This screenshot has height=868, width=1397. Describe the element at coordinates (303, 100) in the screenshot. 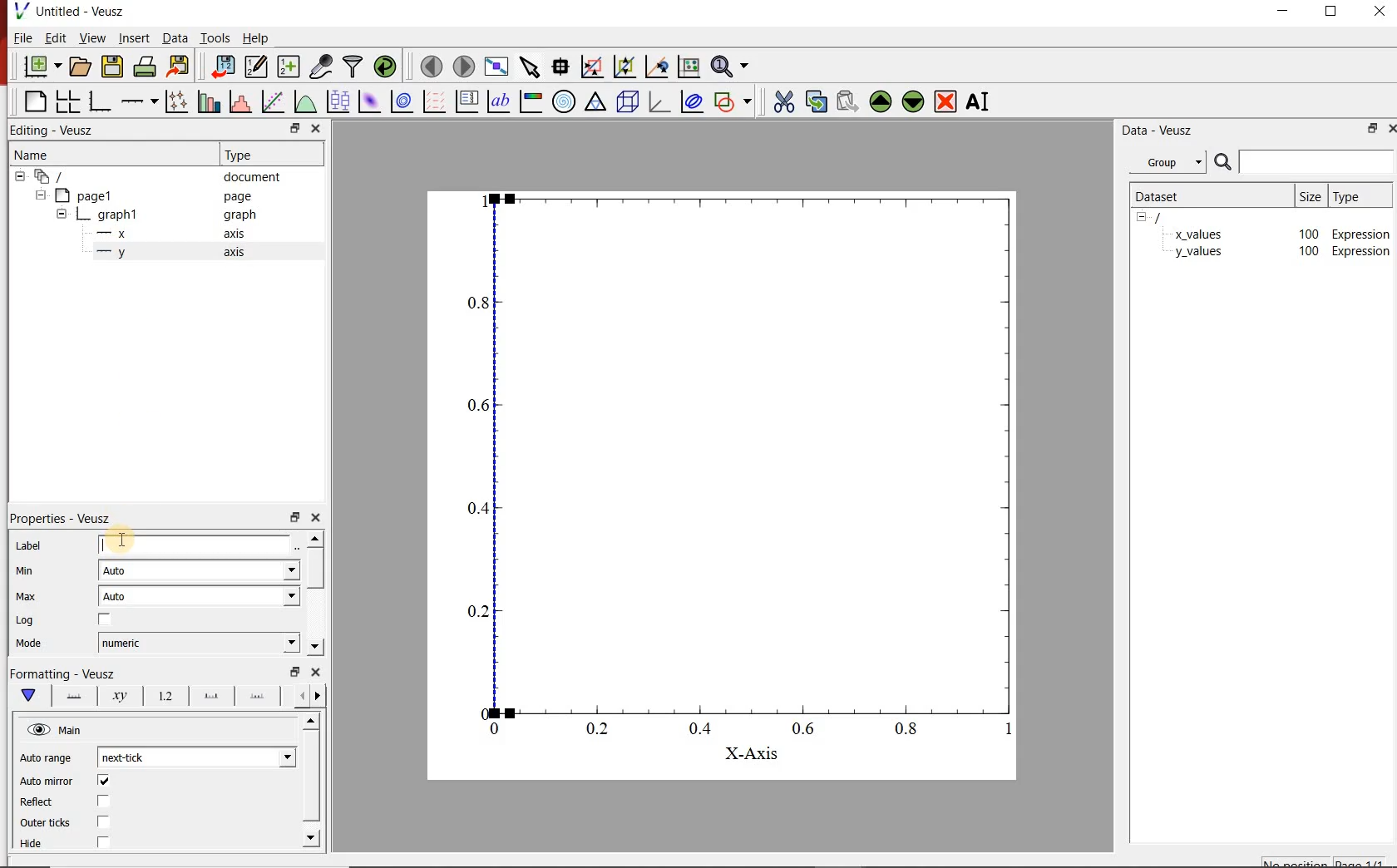

I see `plot a function` at that location.